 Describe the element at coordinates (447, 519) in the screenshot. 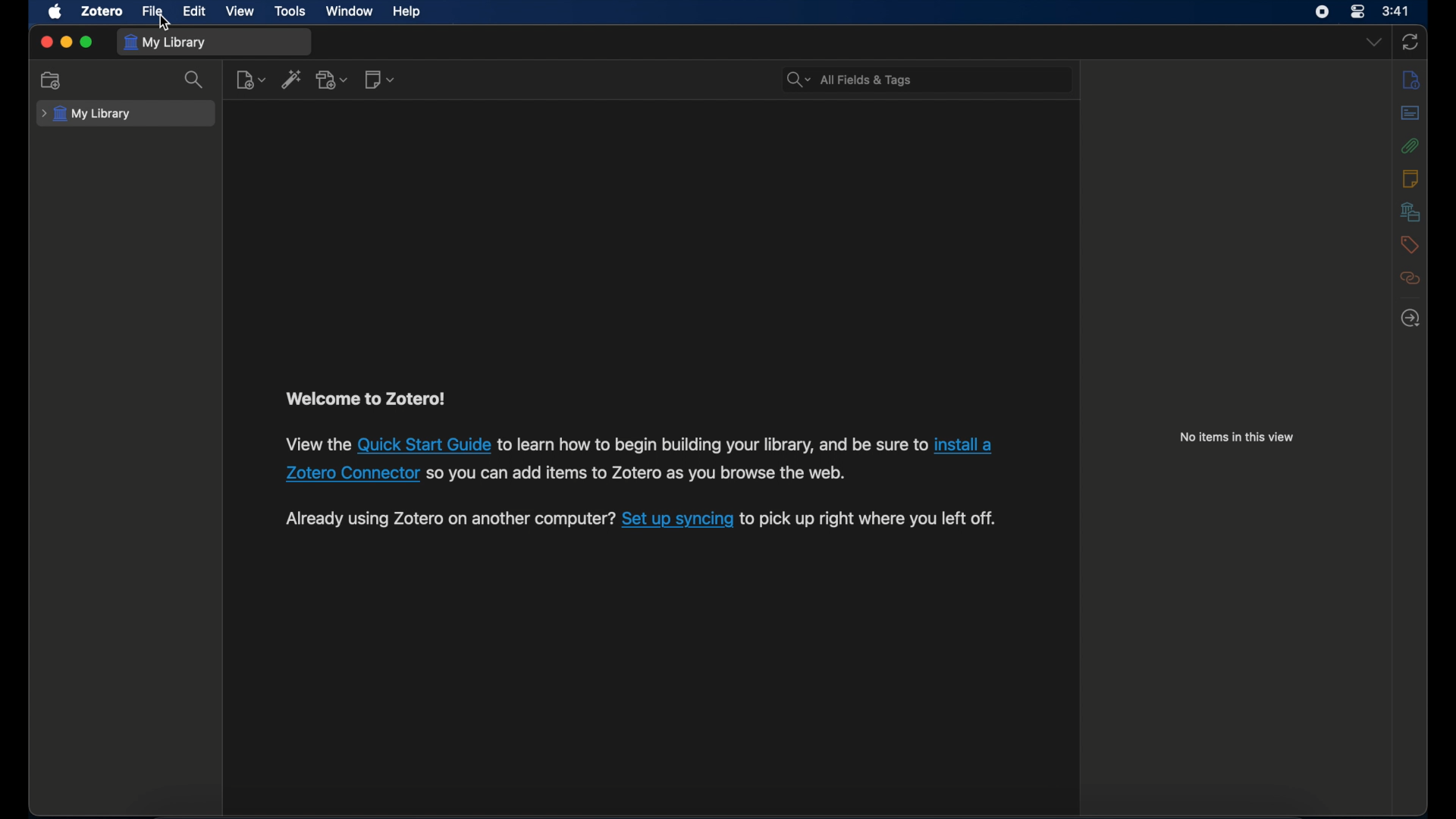

I see `text` at that location.